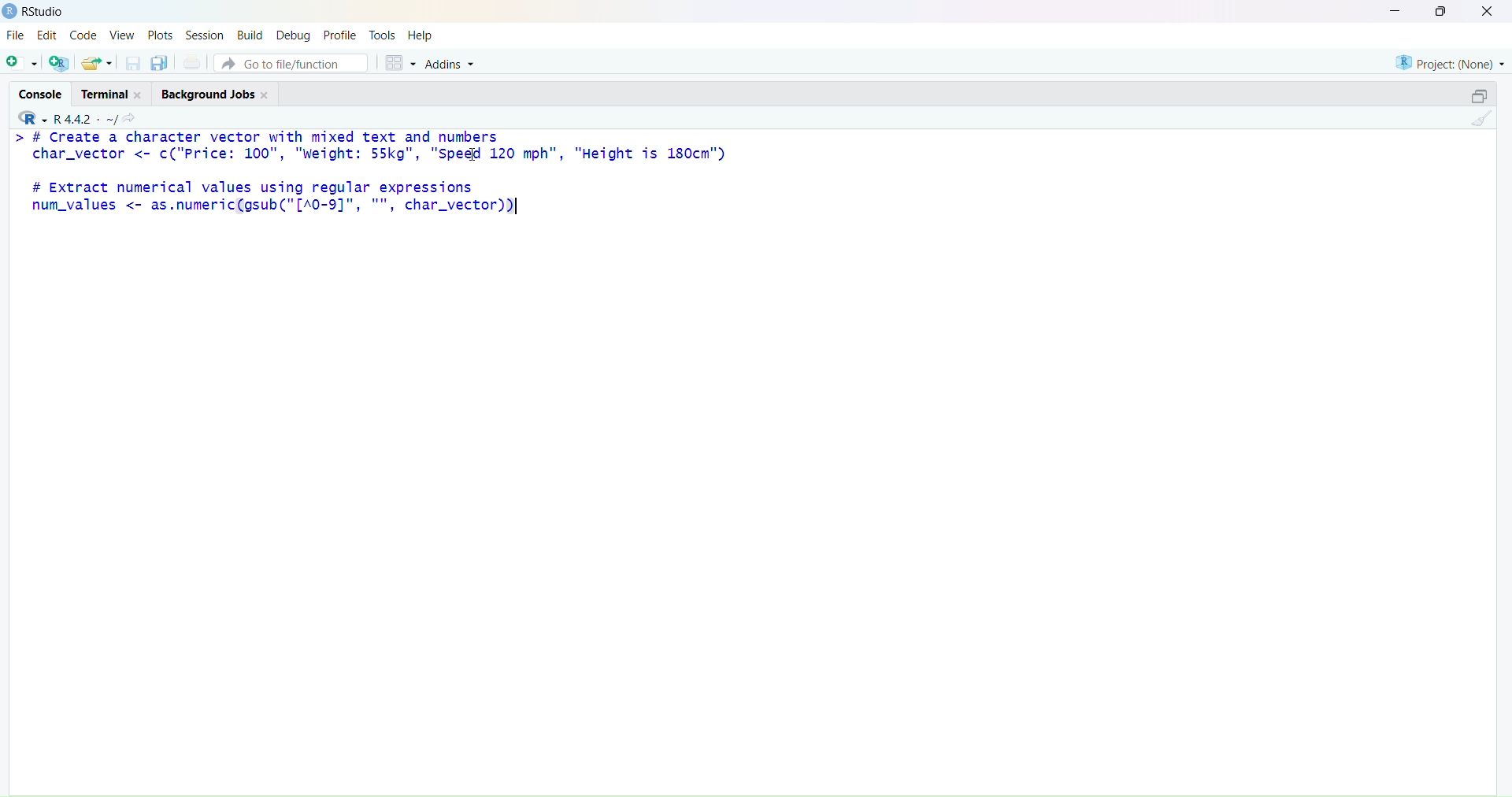 This screenshot has height=797, width=1512. I want to click on RStudio, so click(45, 11).